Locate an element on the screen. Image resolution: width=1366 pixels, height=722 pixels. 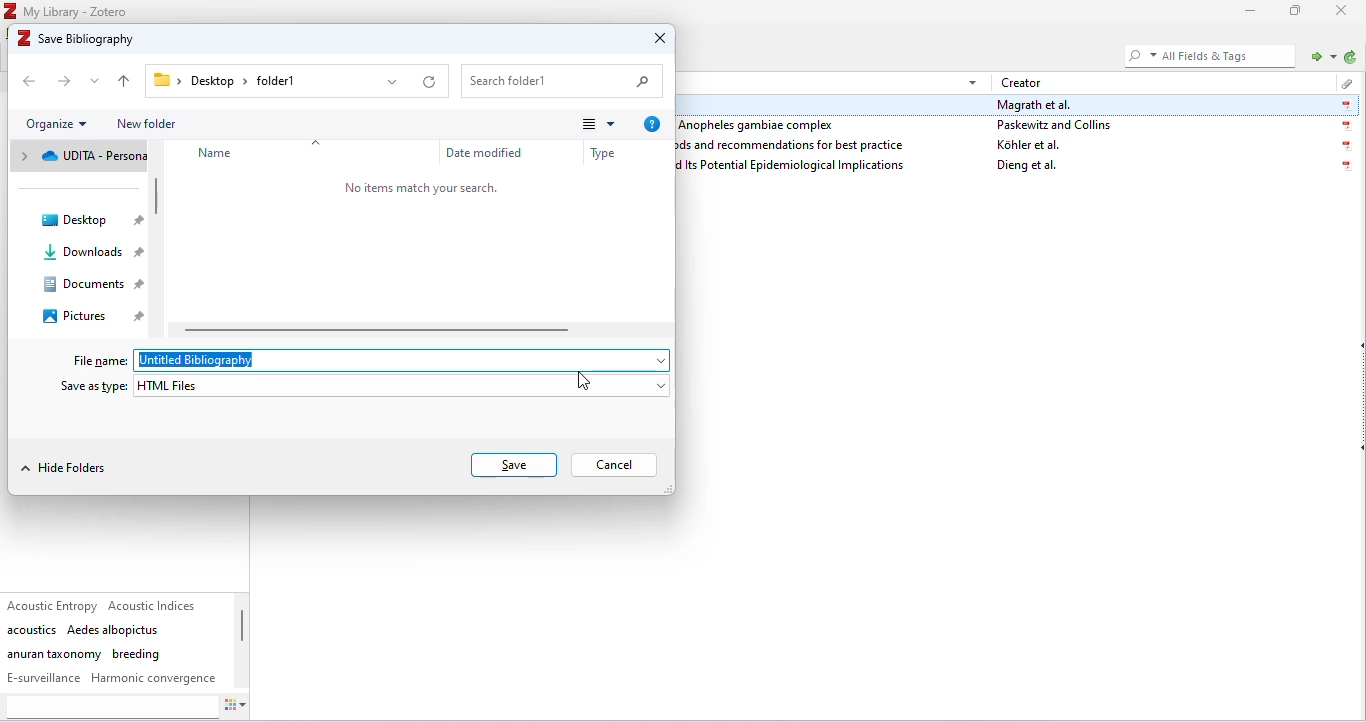
E surveniance Harmonic convergence is located at coordinates (112, 678).